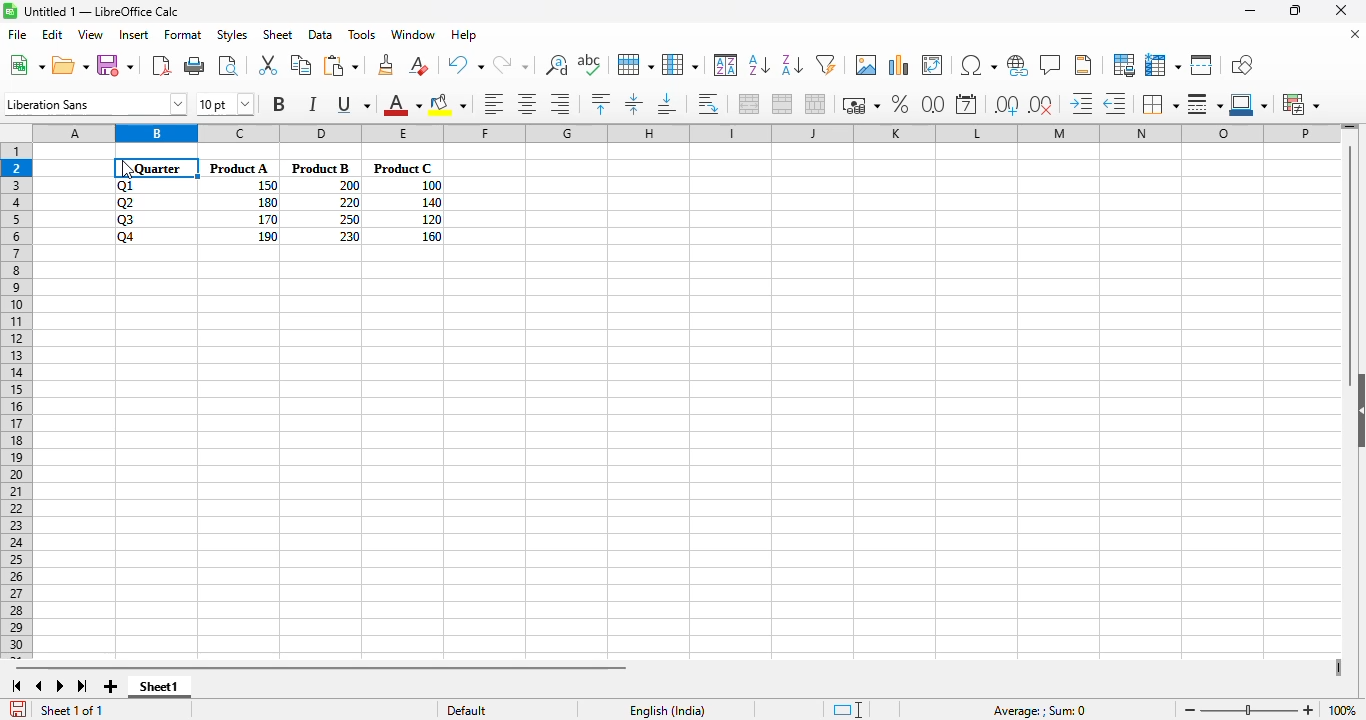  I want to click on sheet, so click(277, 35).